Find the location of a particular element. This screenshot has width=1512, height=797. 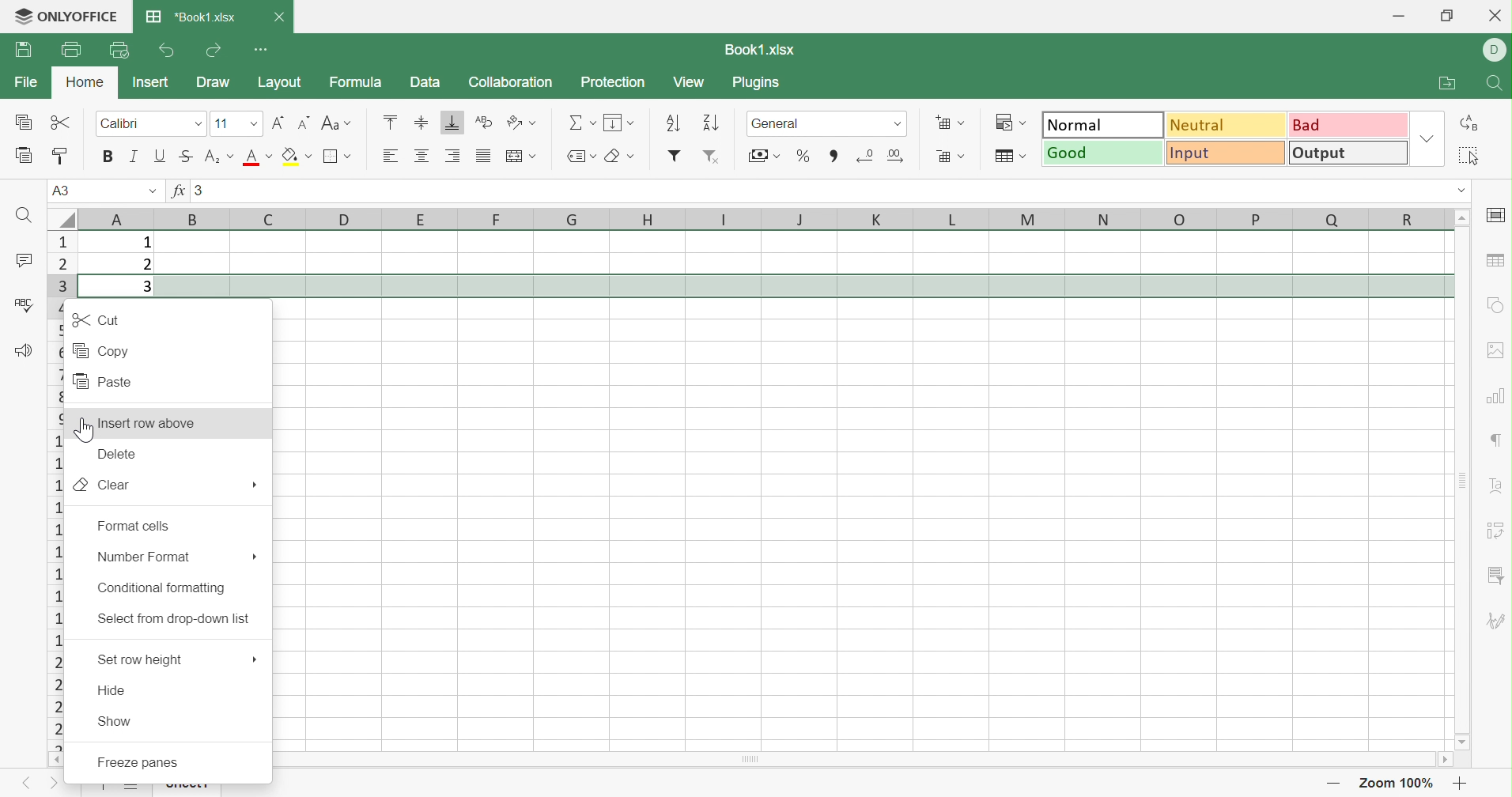

Bold is located at coordinates (107, 157).